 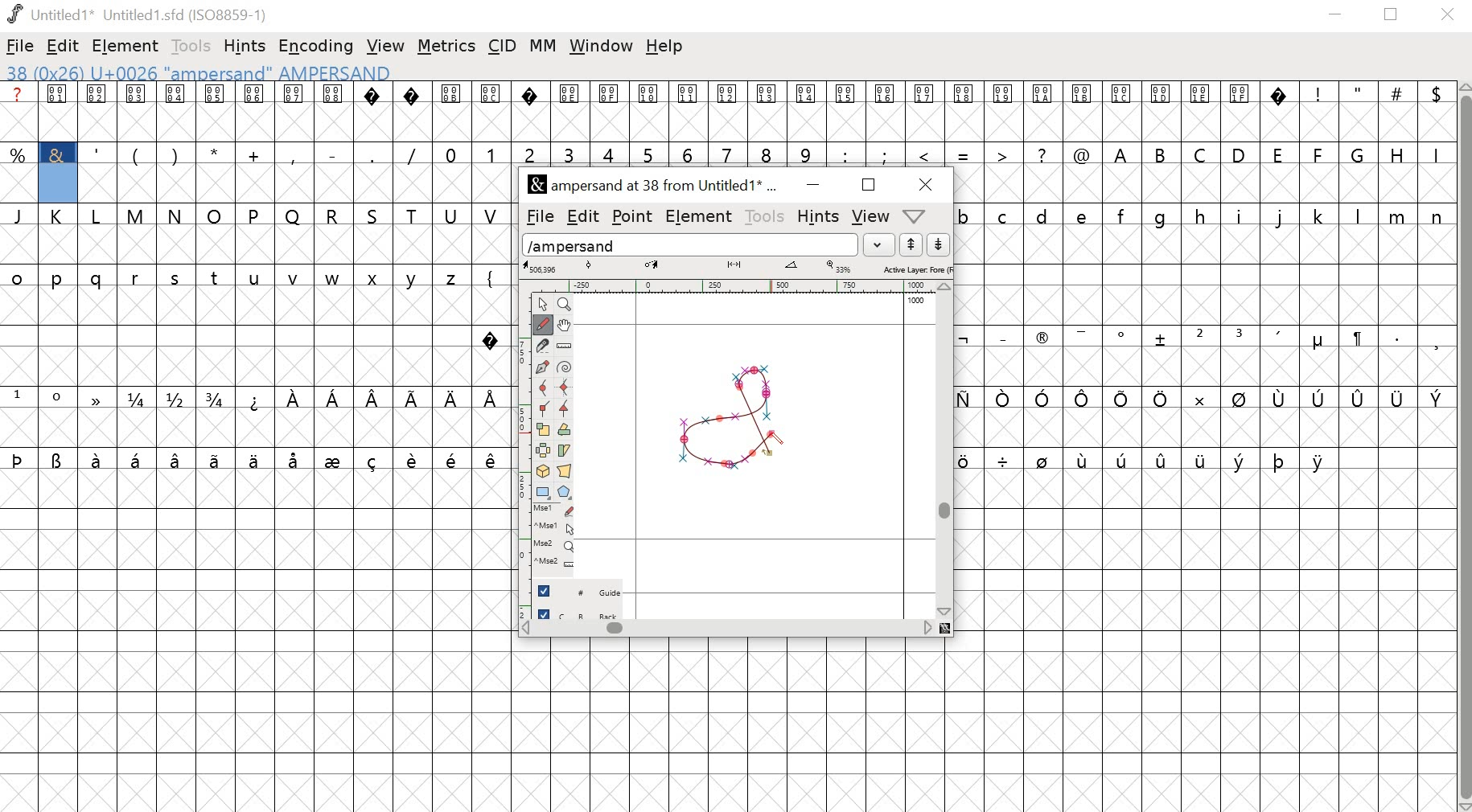 What do you see at coordinates (19, 396) in the screenshot?
I see `1` at bounding box center [19, 396].